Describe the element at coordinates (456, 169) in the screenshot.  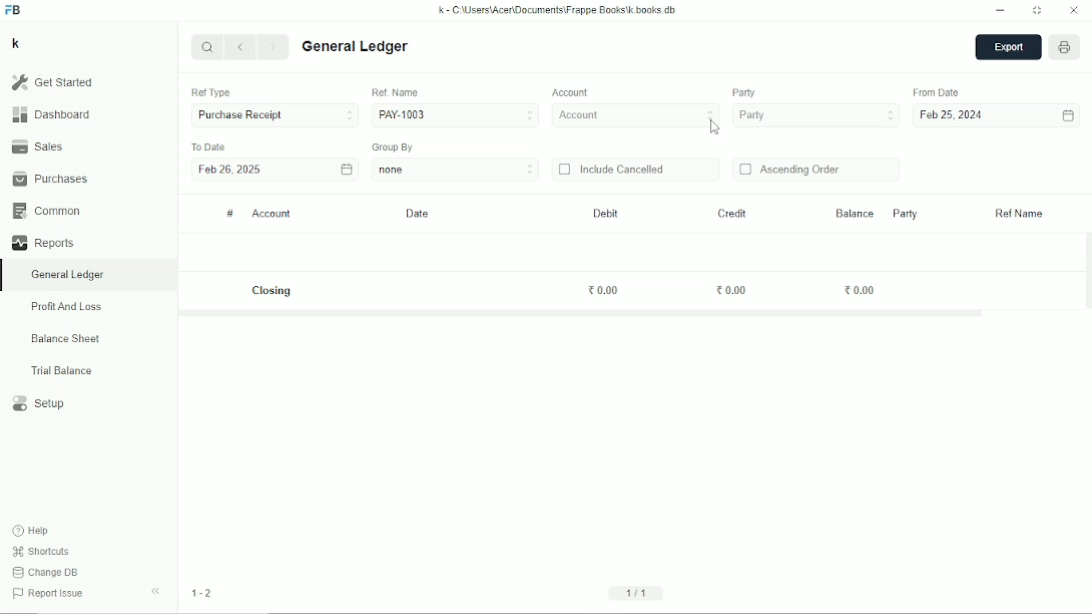
I see `none` at that location.